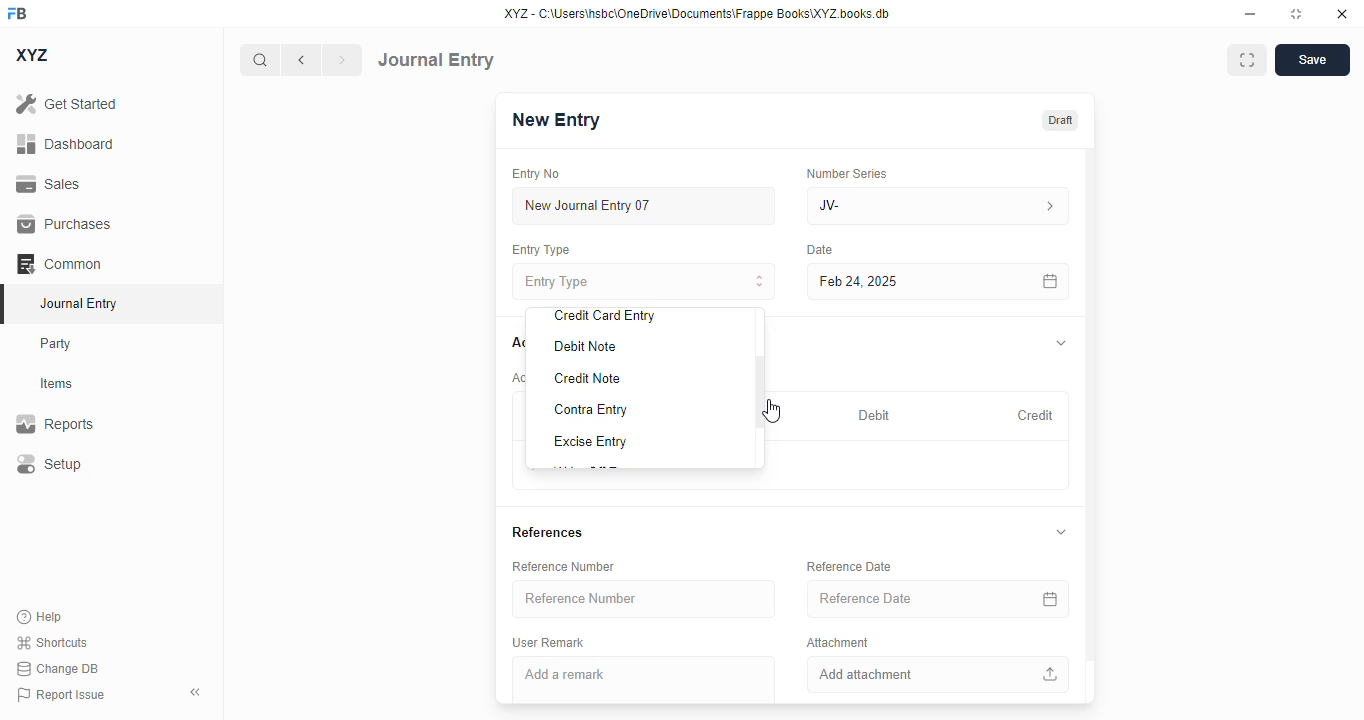 This screenshot has height=720, width=1364. I want to click on JV-, so click(938, 206).